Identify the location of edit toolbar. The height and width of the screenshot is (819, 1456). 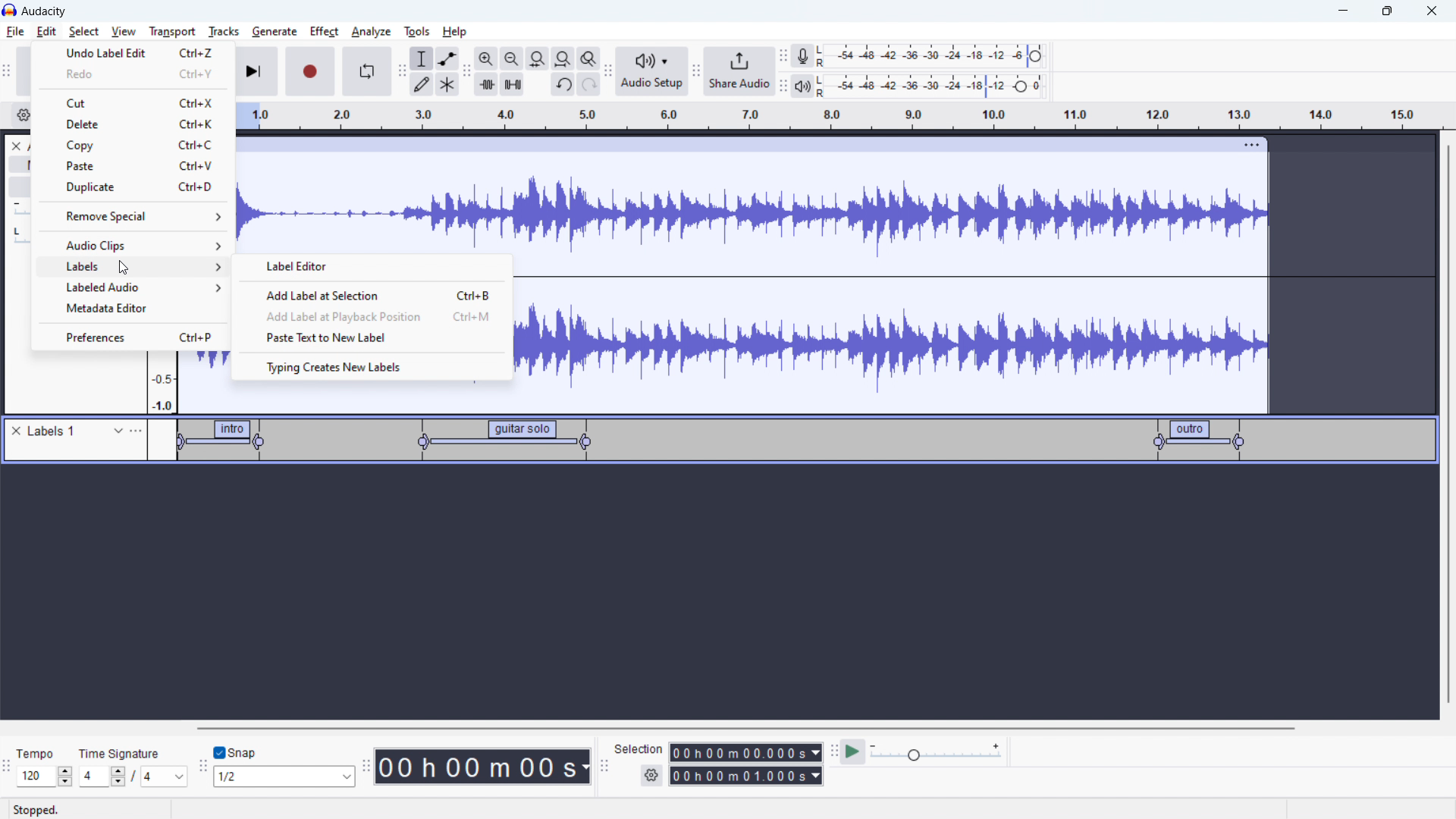
(466, 72).